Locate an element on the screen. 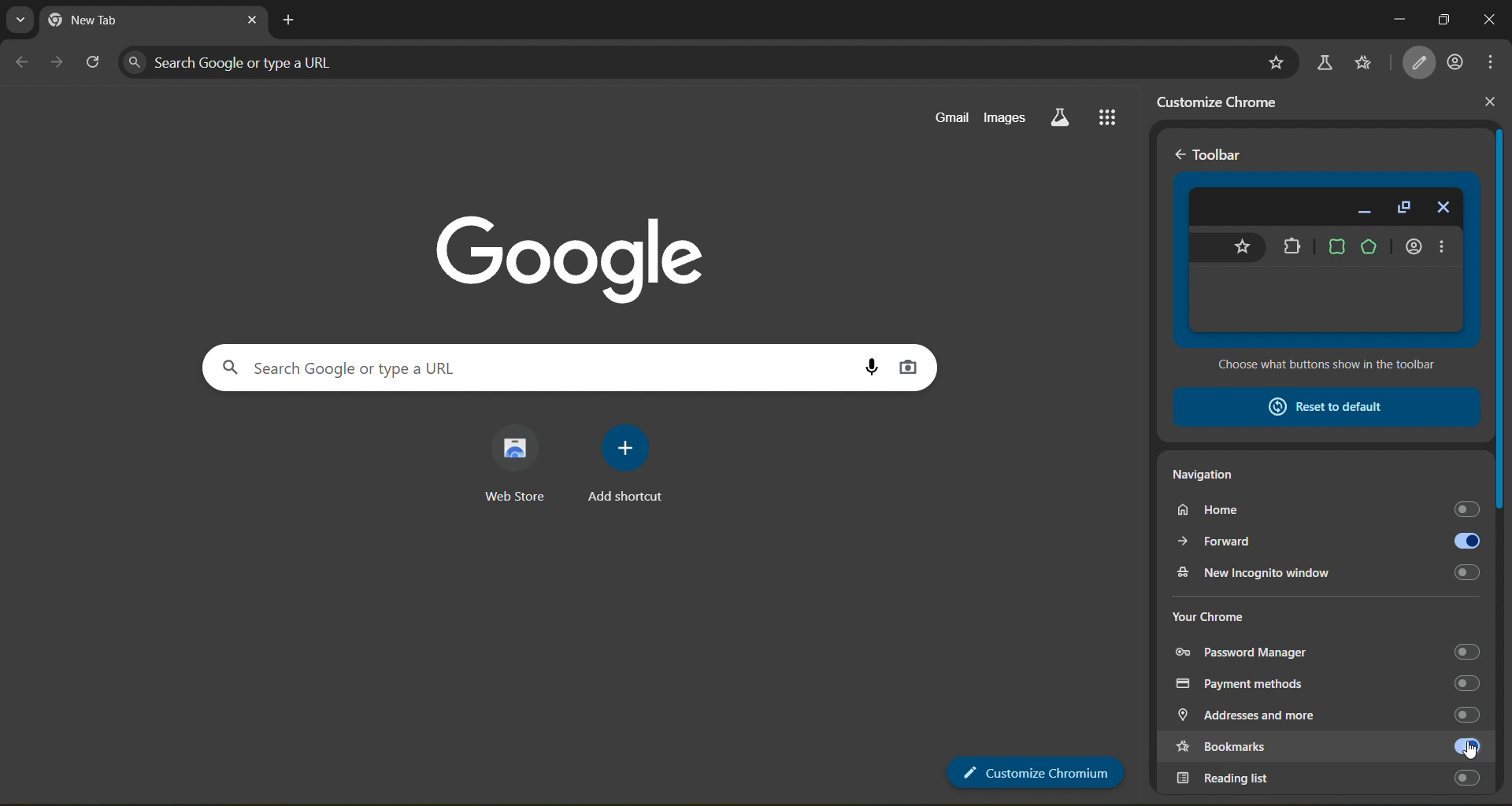 Image resolution: width=1512 pixels, height=806 pixels. customize chrome is located at coordinates (1033, 775).